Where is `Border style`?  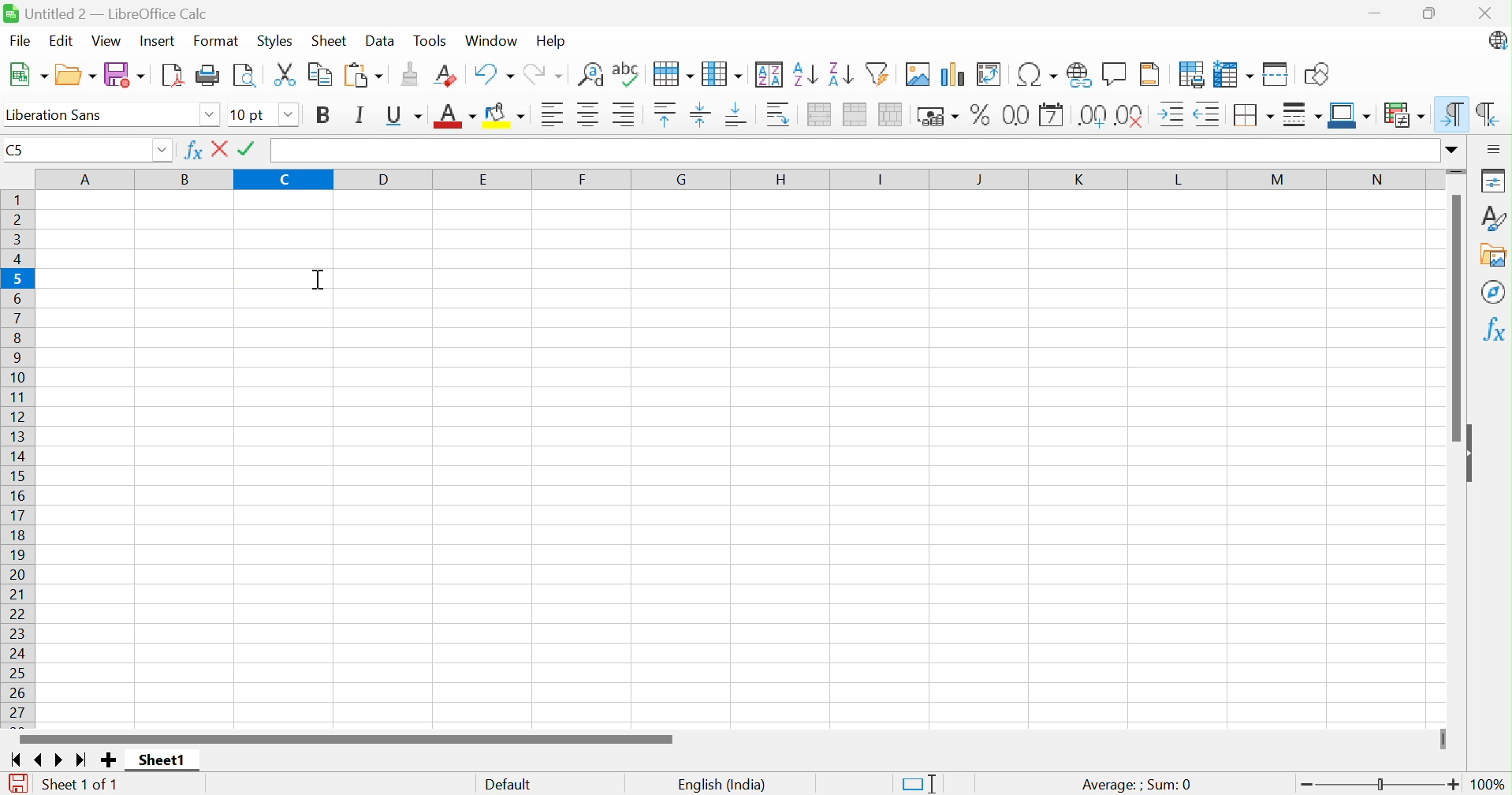
Border style is located at coordinates (1302, 114).